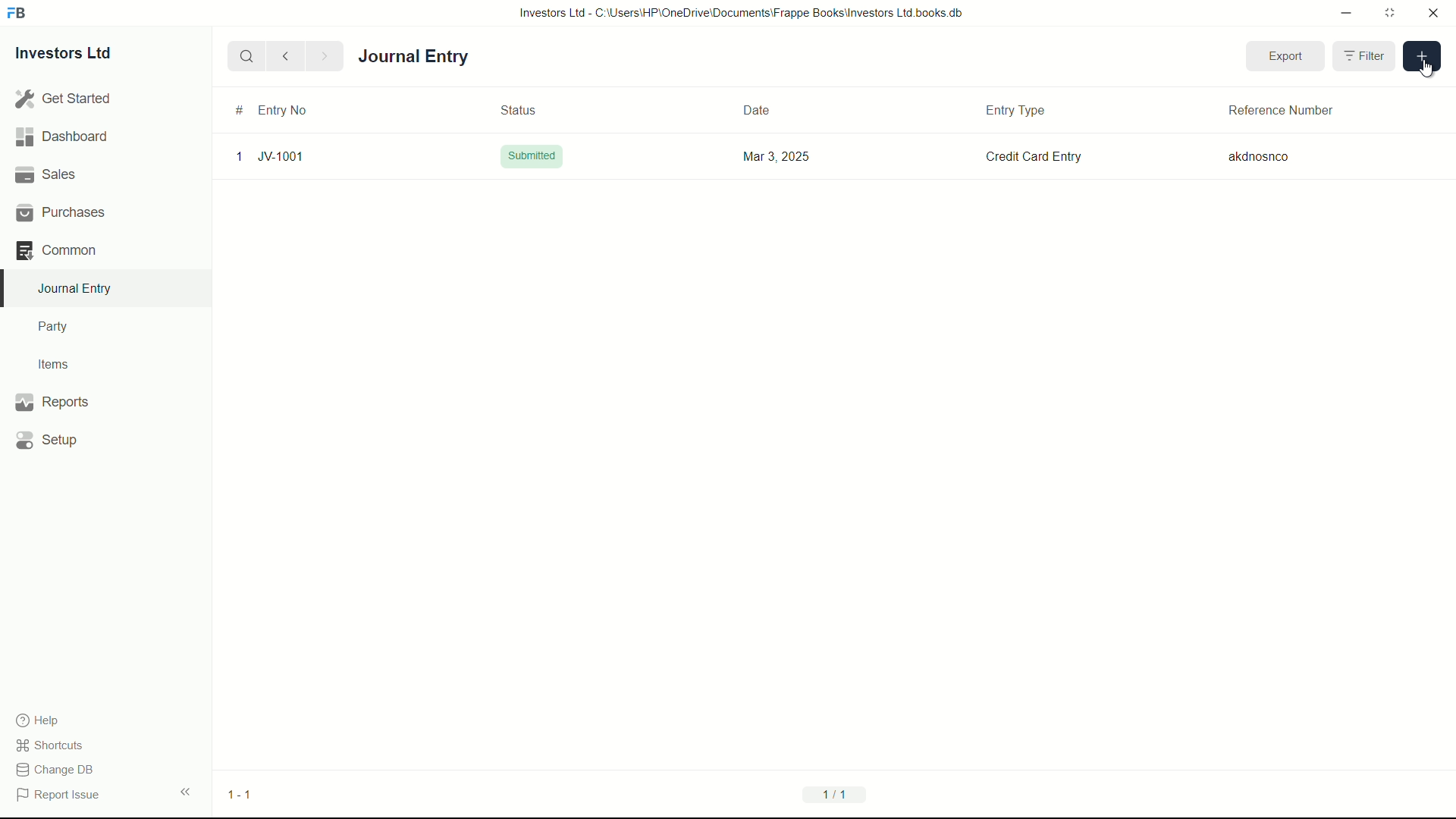 This screenshot has height=819, width=1456. What do you see at coordinates (245, 55) in the screenshot?
I see `search` at bounding box center [245, 55].